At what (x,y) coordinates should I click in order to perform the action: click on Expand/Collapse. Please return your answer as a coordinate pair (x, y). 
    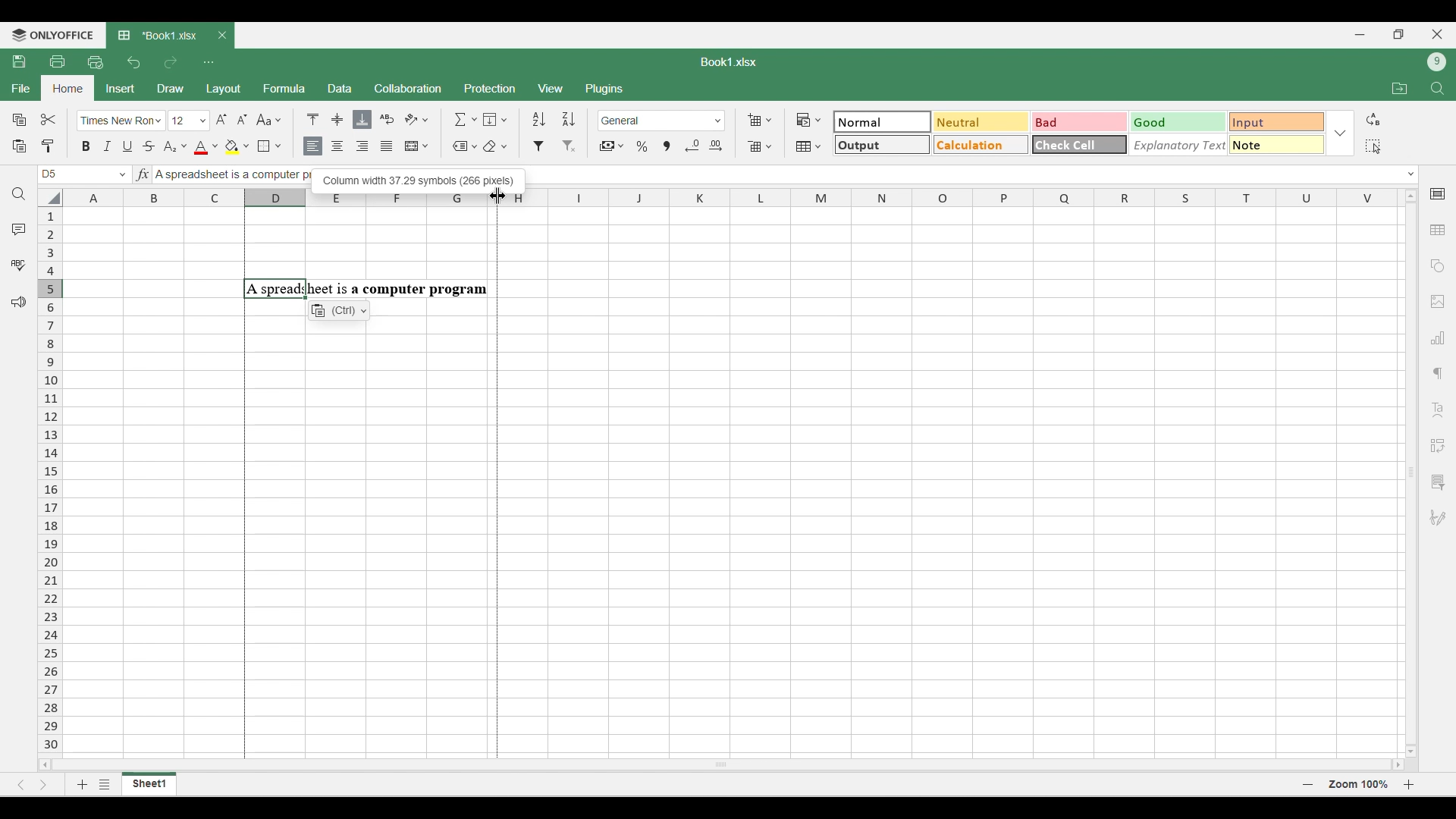
    Looking at the image, I should click on (1340, 133).